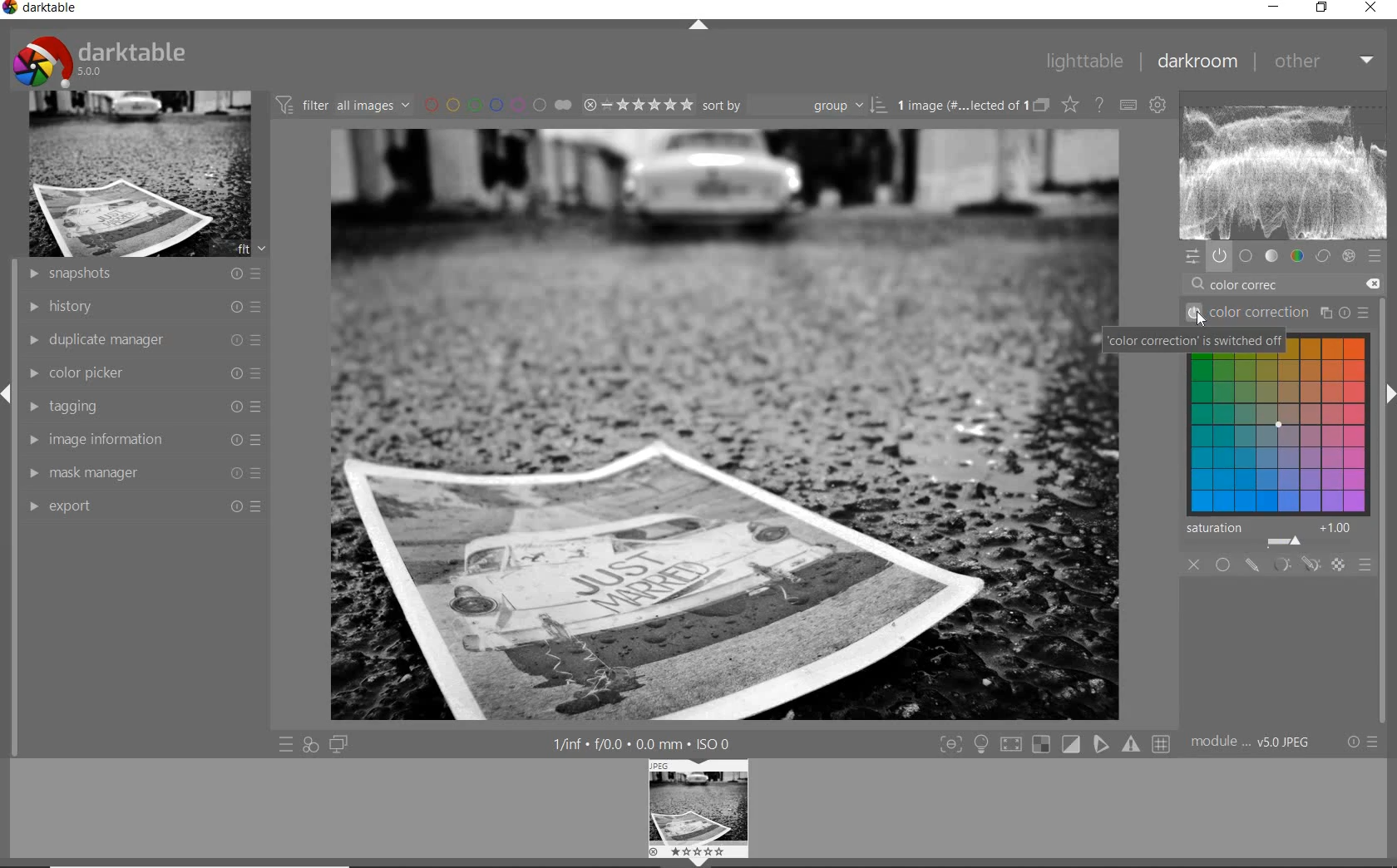  Describe the element at coordinates (140, 175) in the screenshot. I see `image` at that location.